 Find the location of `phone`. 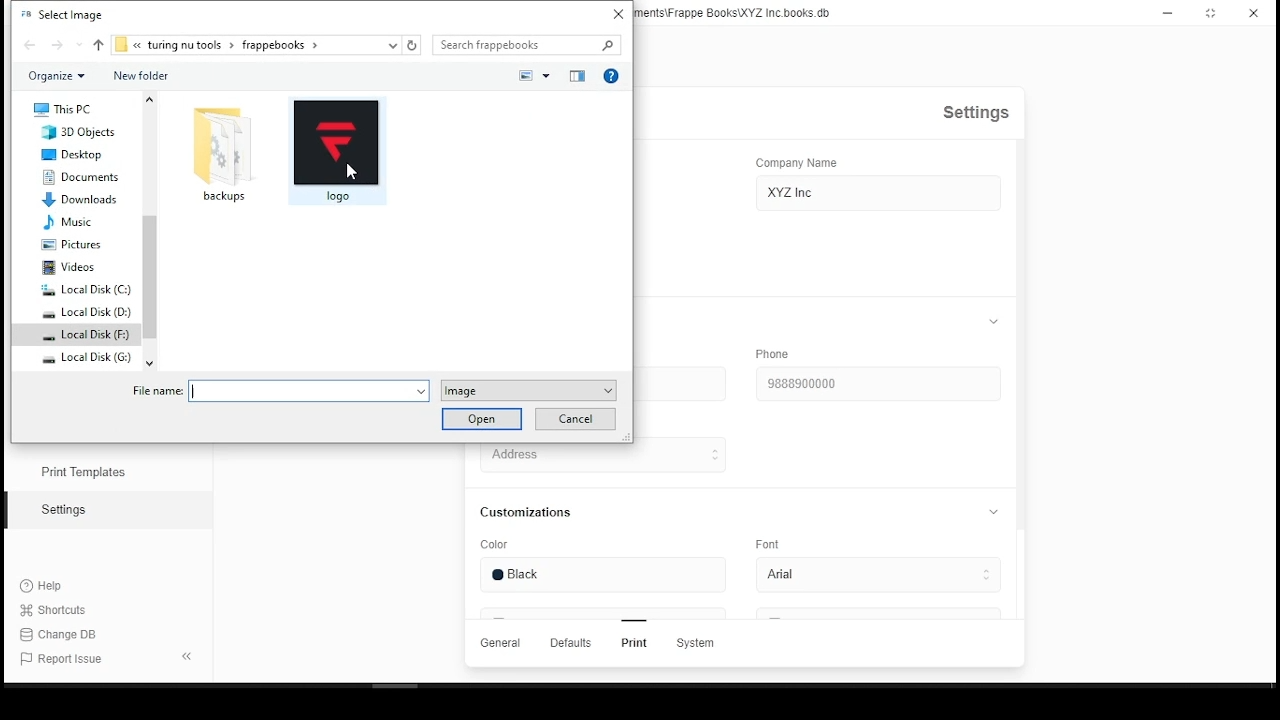

phone is located at coordinates (773, 354).